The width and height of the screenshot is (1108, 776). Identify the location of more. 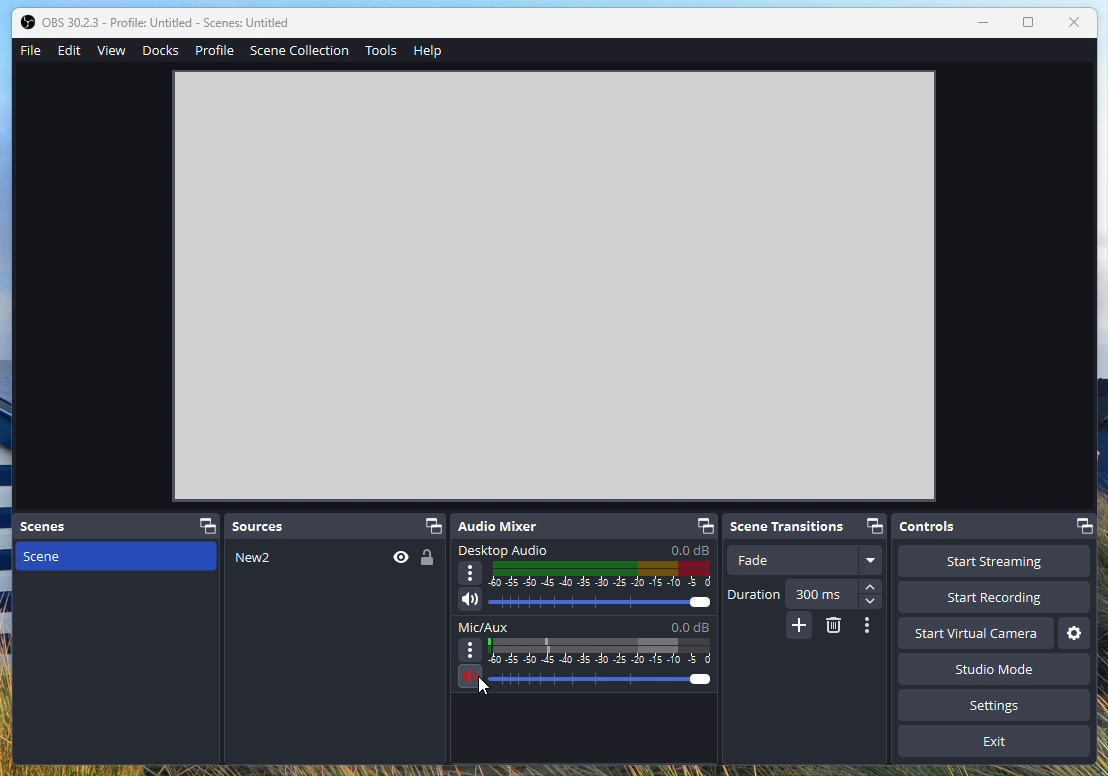
(874, 629).